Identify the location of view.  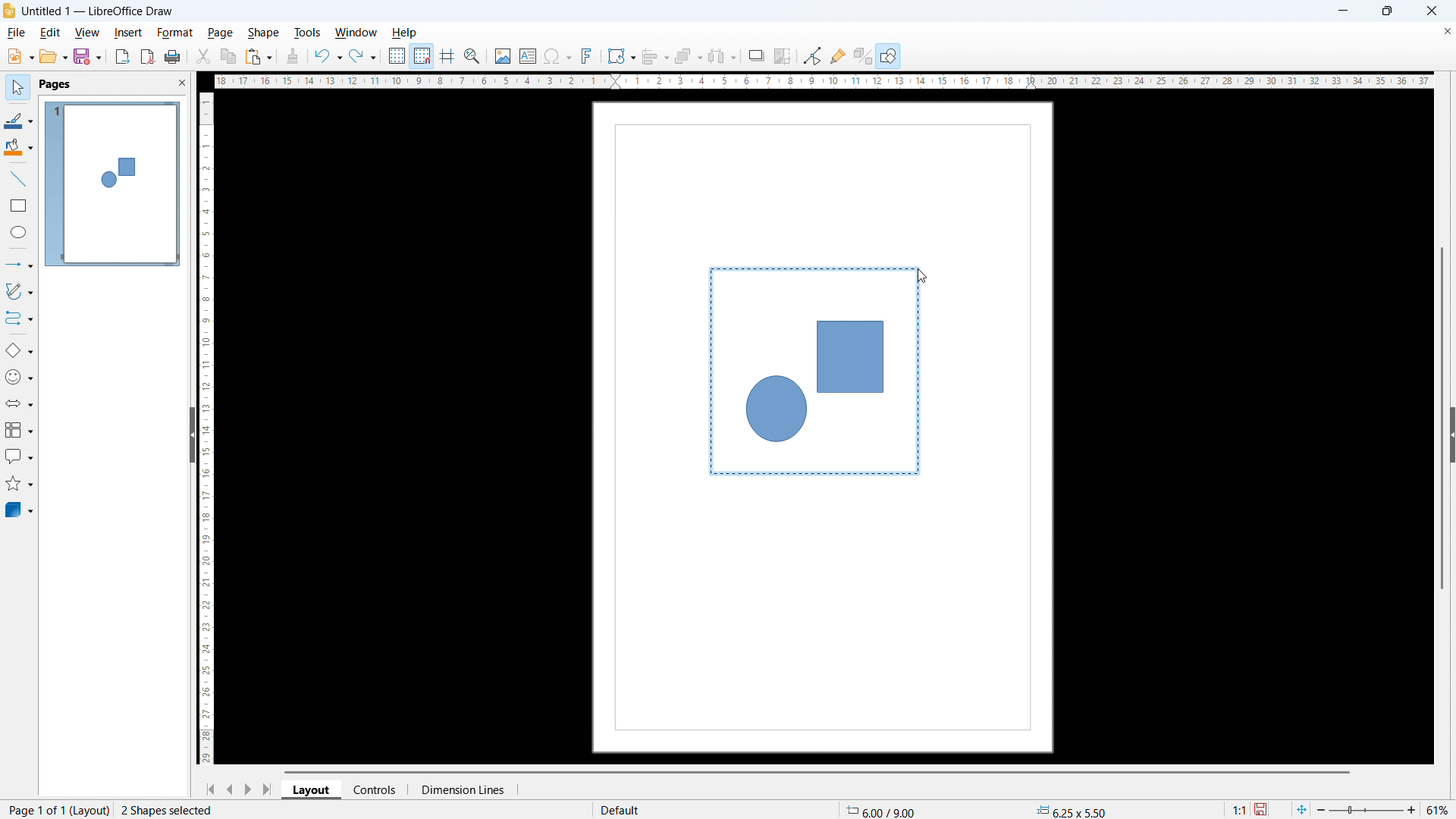
(87, 33).